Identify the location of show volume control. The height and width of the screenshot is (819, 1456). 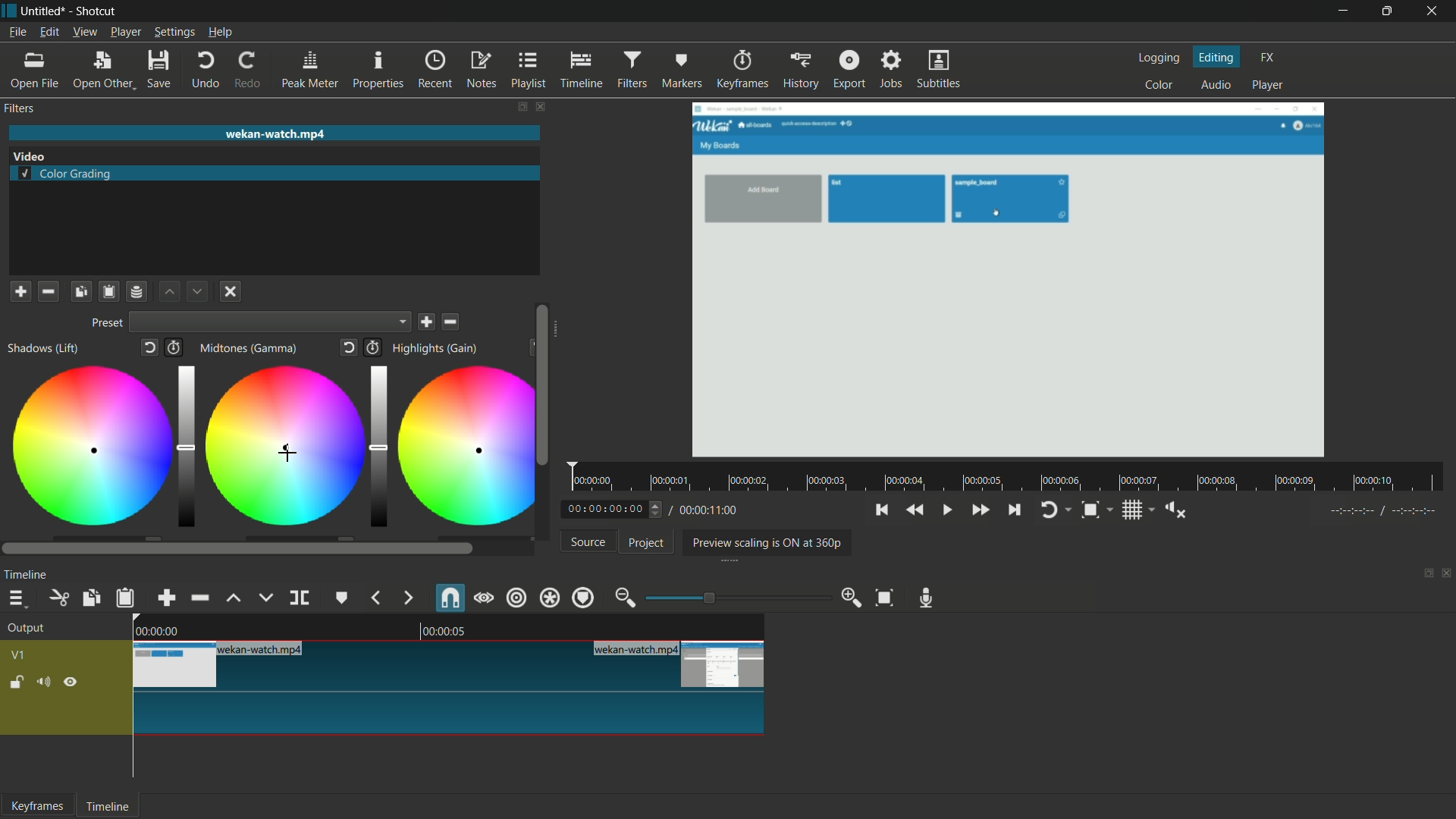
(1177, 510).